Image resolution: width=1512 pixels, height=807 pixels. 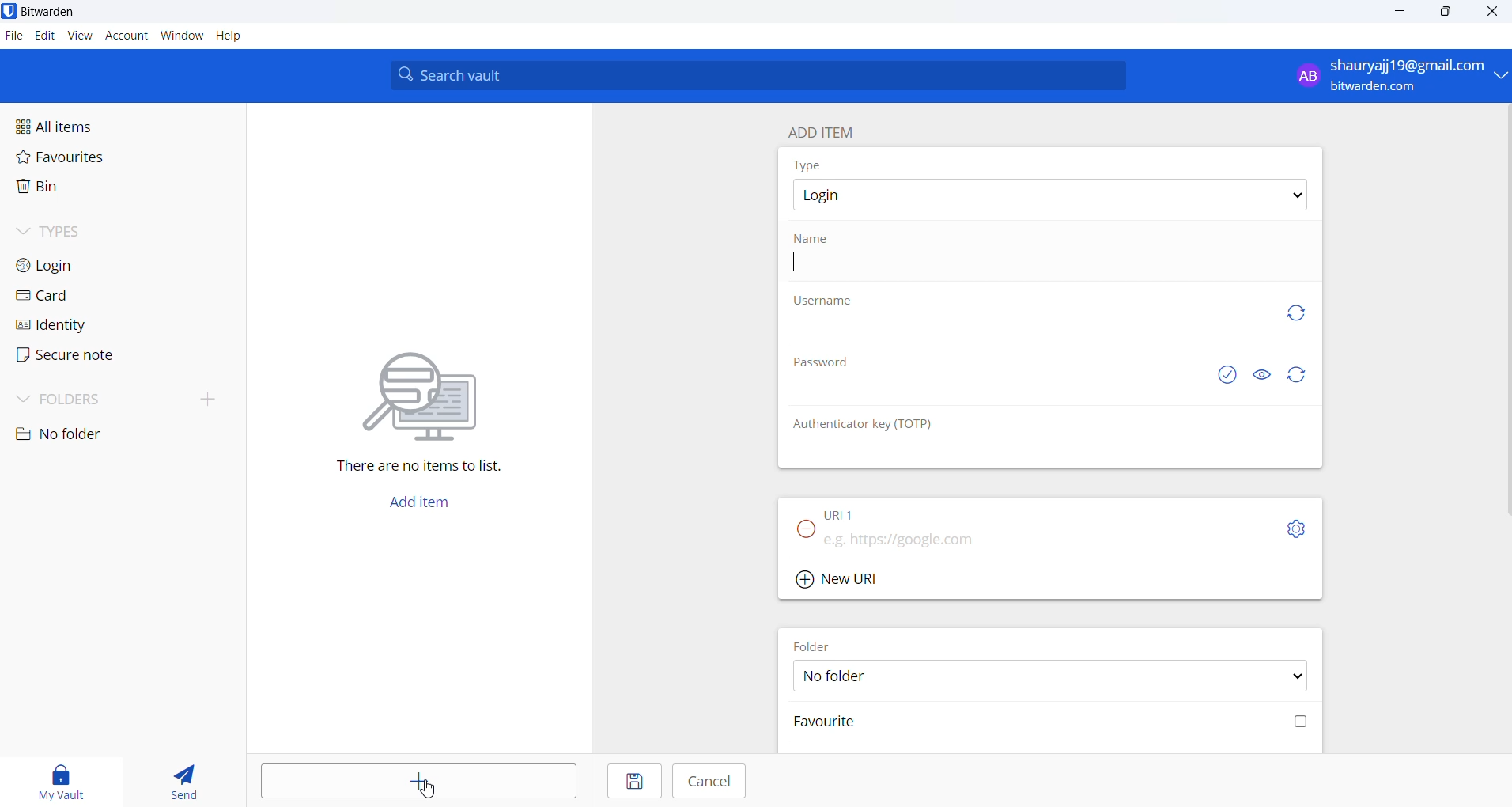 I want to click on URL input box, so click(x=1045, y=535).